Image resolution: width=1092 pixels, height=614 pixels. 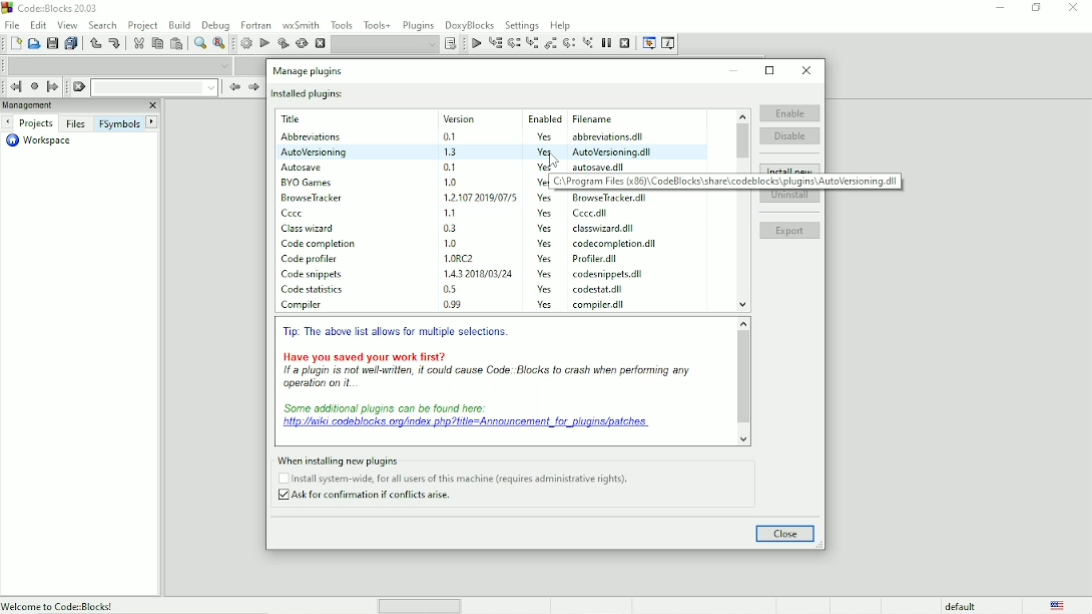 What do you see at coordinates (785, 534) in the screenshot?
I see `Close` at bounding box center [785, 534].